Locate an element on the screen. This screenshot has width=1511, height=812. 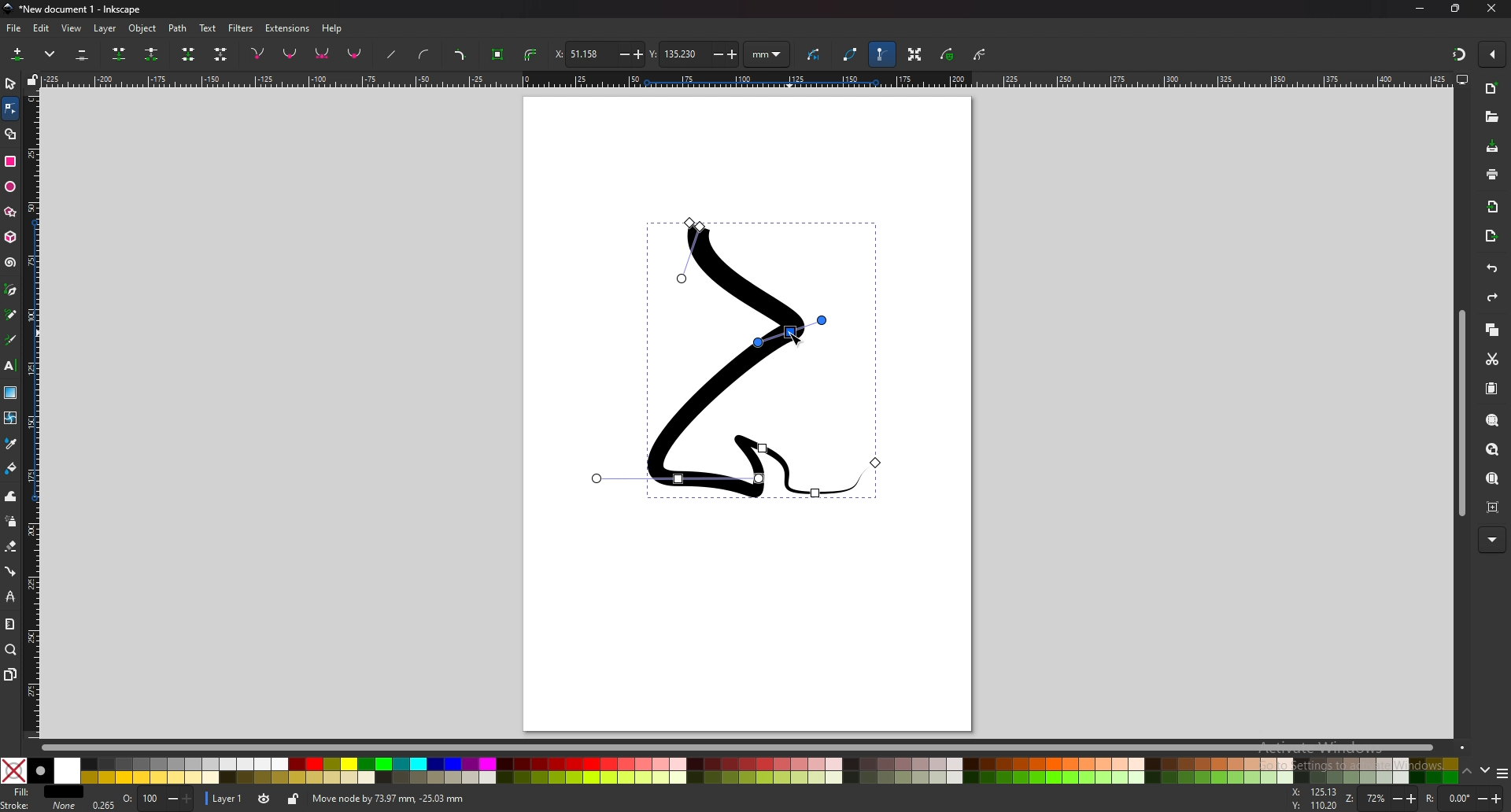
fill is located at coordinates (44, 792).